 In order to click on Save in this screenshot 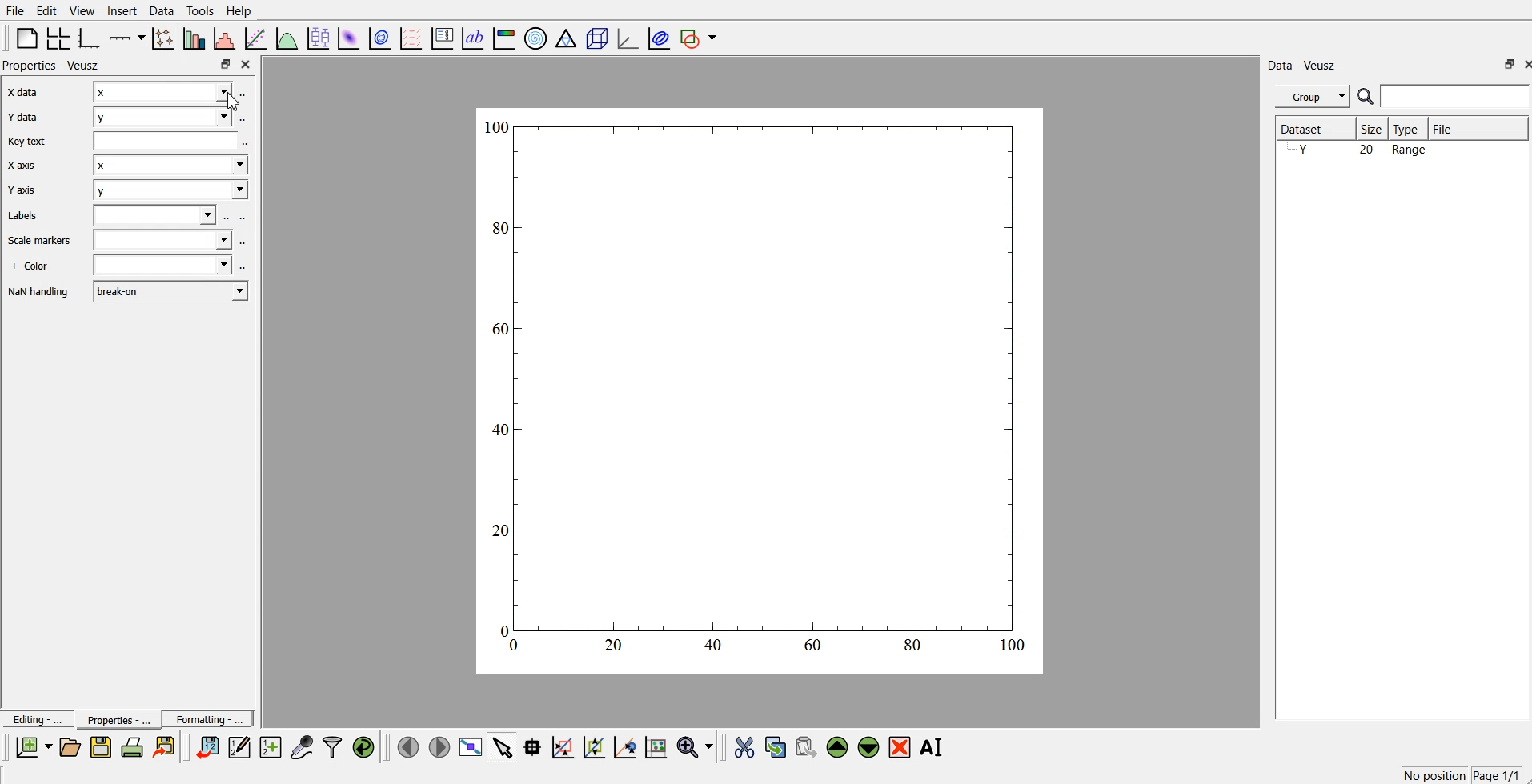, I will do `click(101, 747)`.